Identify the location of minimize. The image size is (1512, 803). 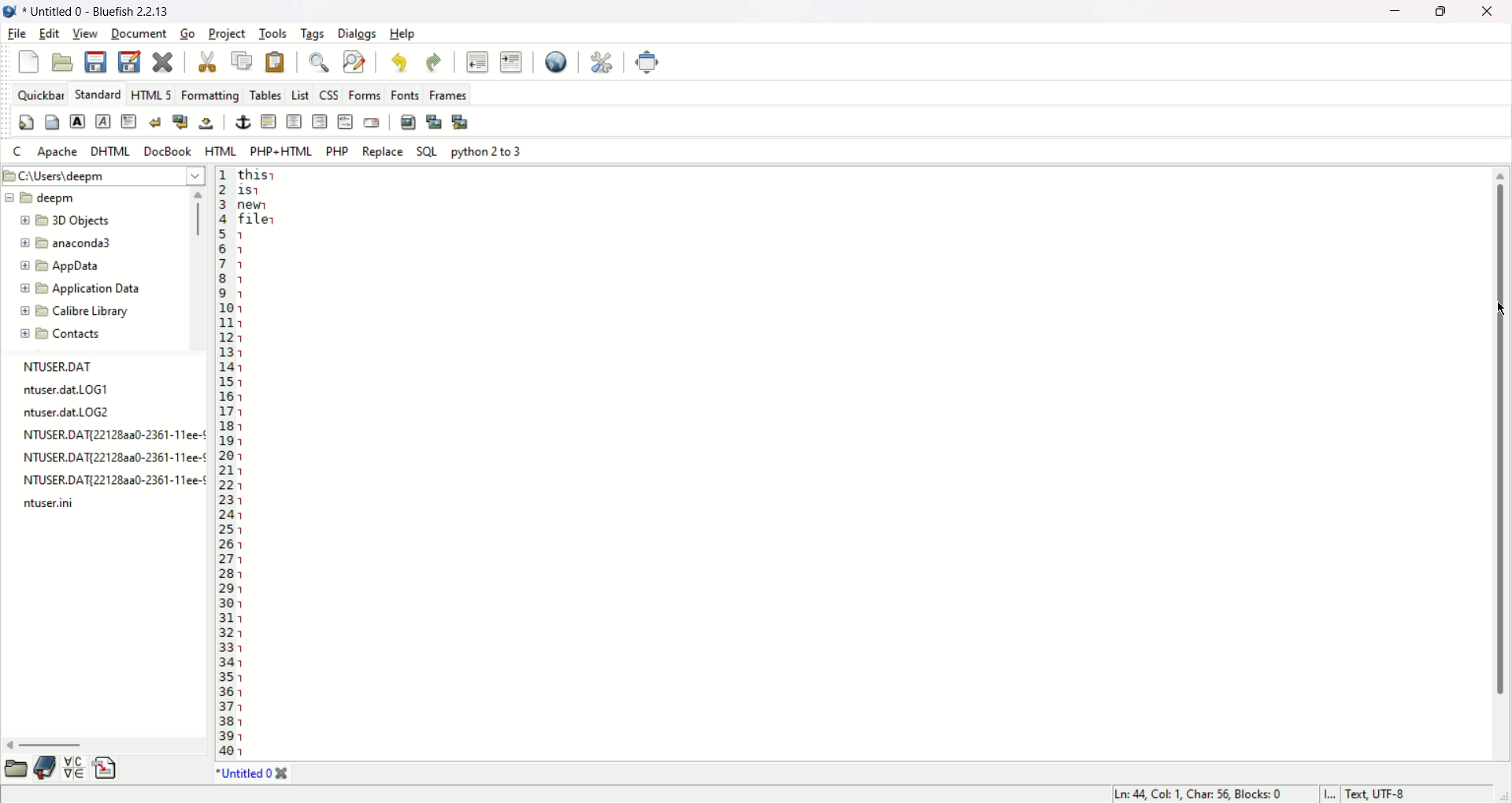
(1399, 11).